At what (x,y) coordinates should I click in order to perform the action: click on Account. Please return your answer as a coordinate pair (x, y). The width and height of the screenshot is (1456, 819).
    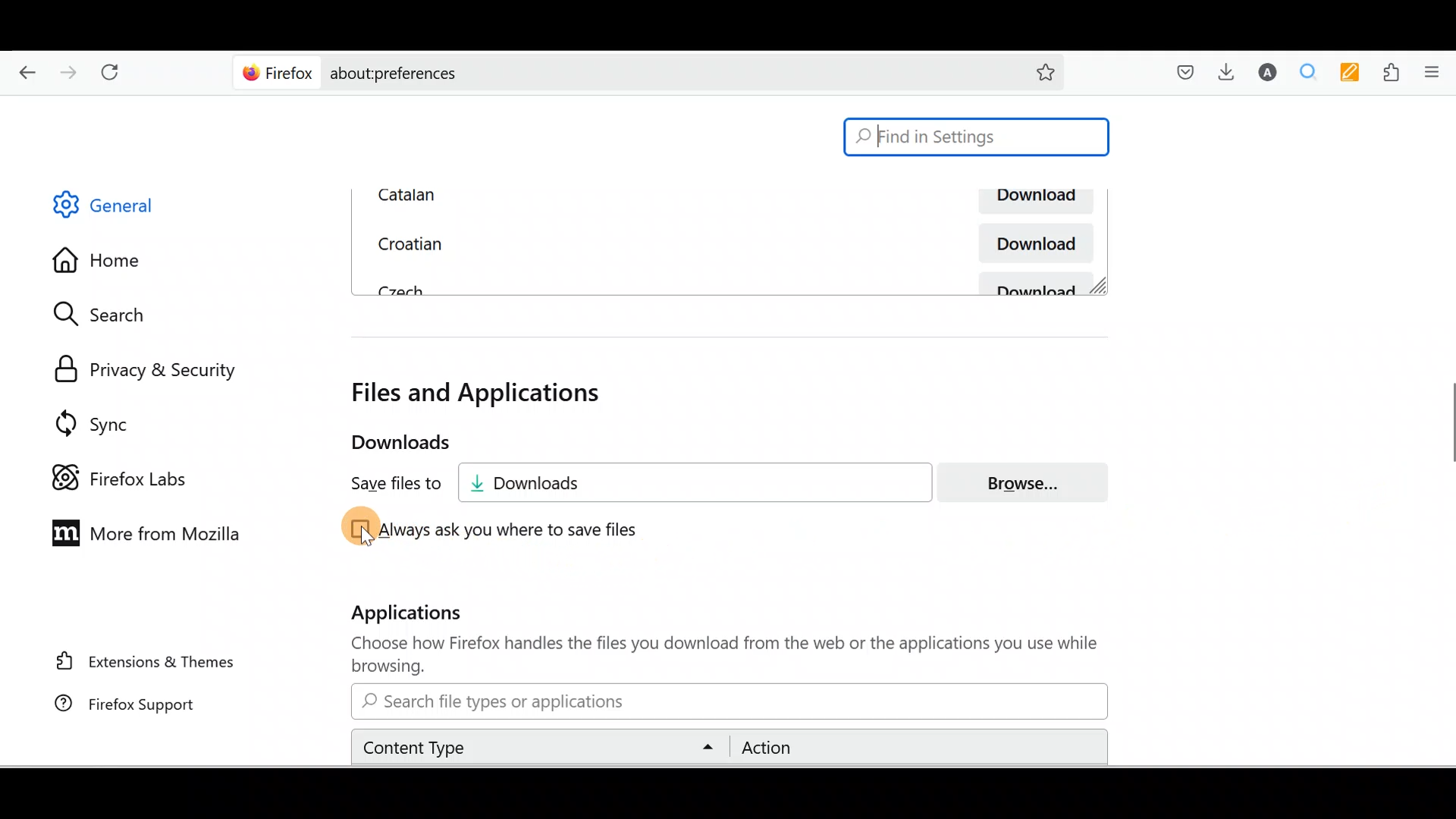
    Looking at the image, I should click on (1269, 74).